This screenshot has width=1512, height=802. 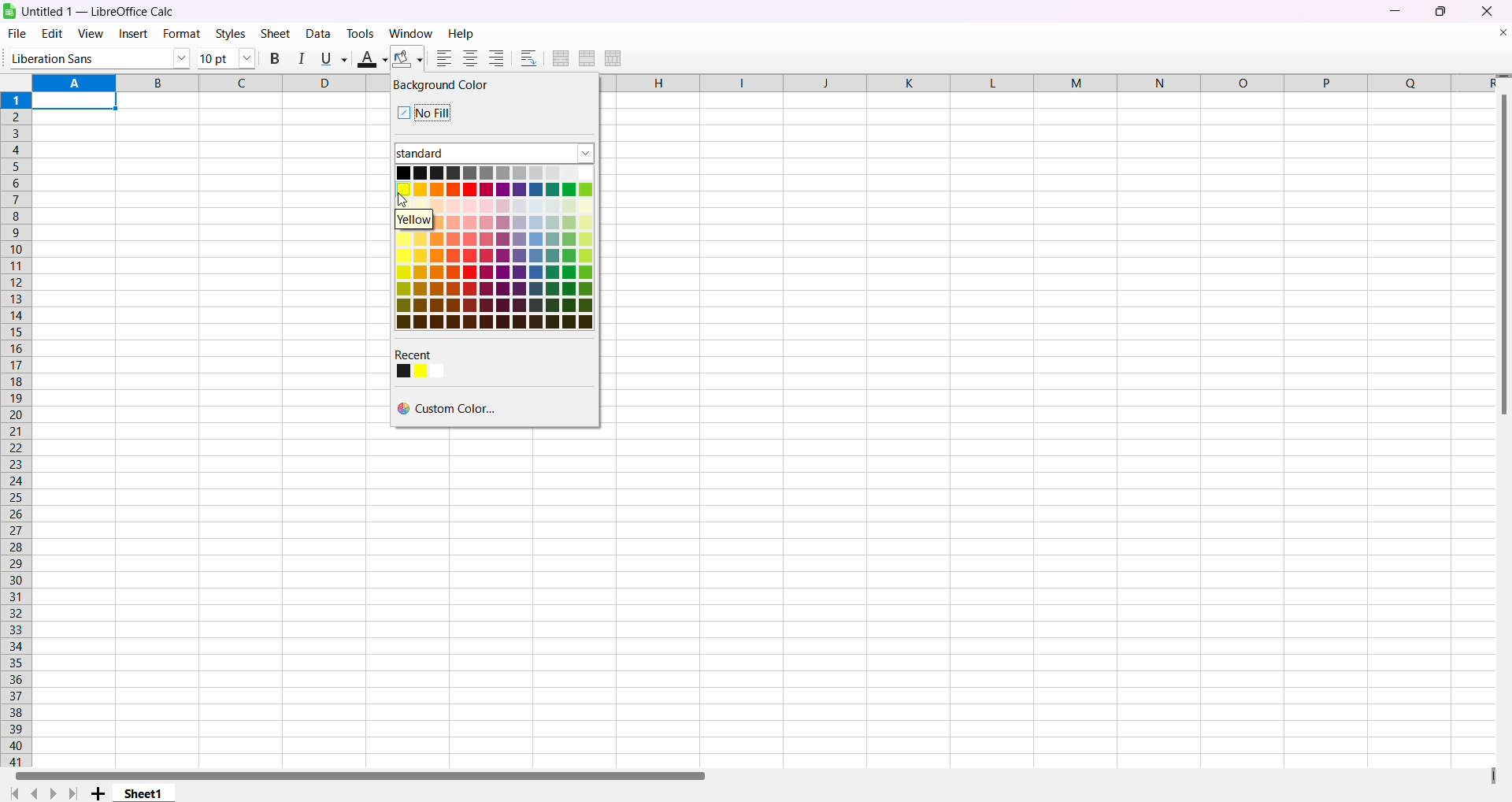 I want to click on insert, so click(x=132, y=35).